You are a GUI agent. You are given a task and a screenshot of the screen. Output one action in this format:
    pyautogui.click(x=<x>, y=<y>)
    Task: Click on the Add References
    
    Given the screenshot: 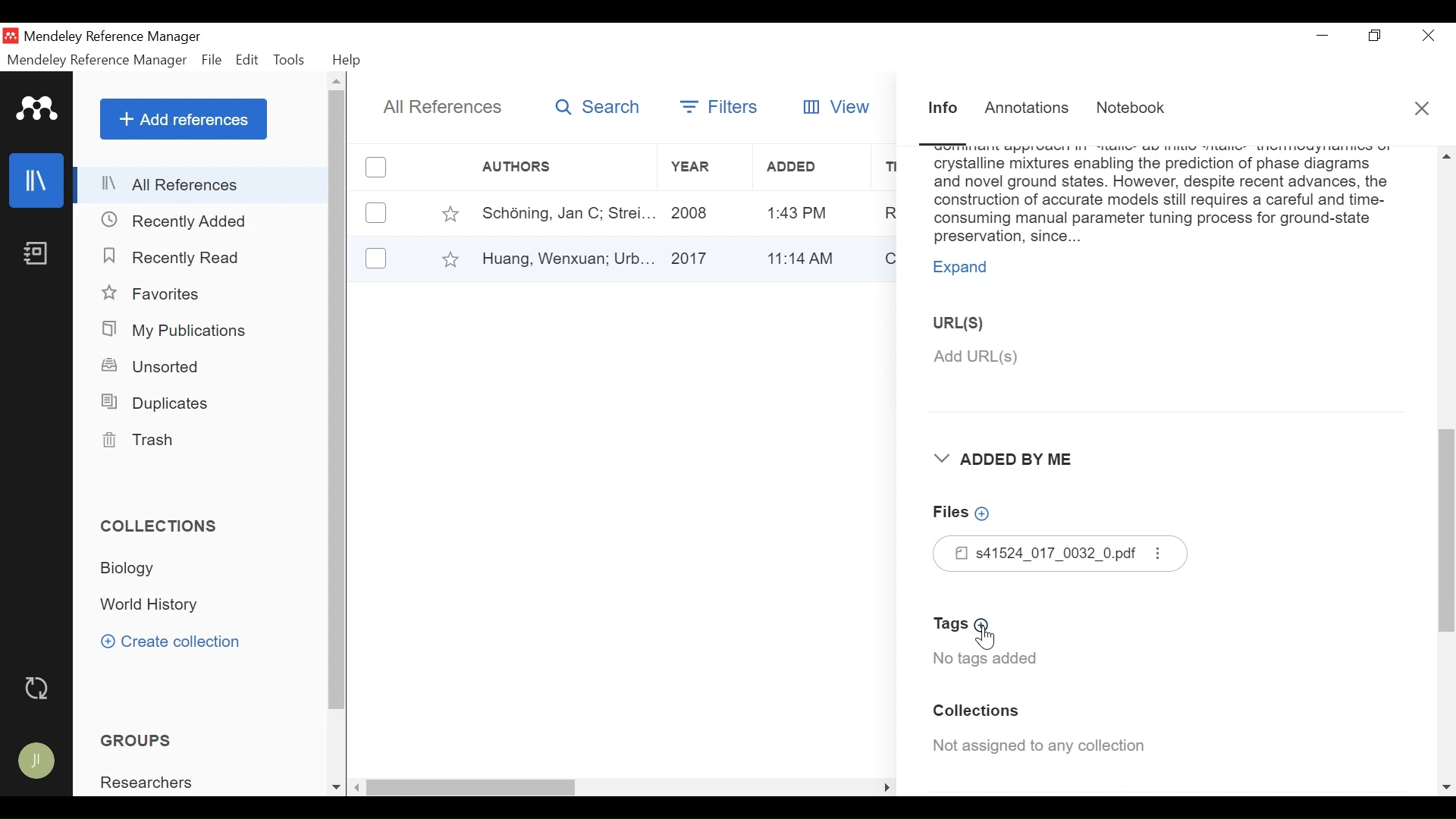 What is the action you would take?
    pyautogui.click(x=184, y=119)
    